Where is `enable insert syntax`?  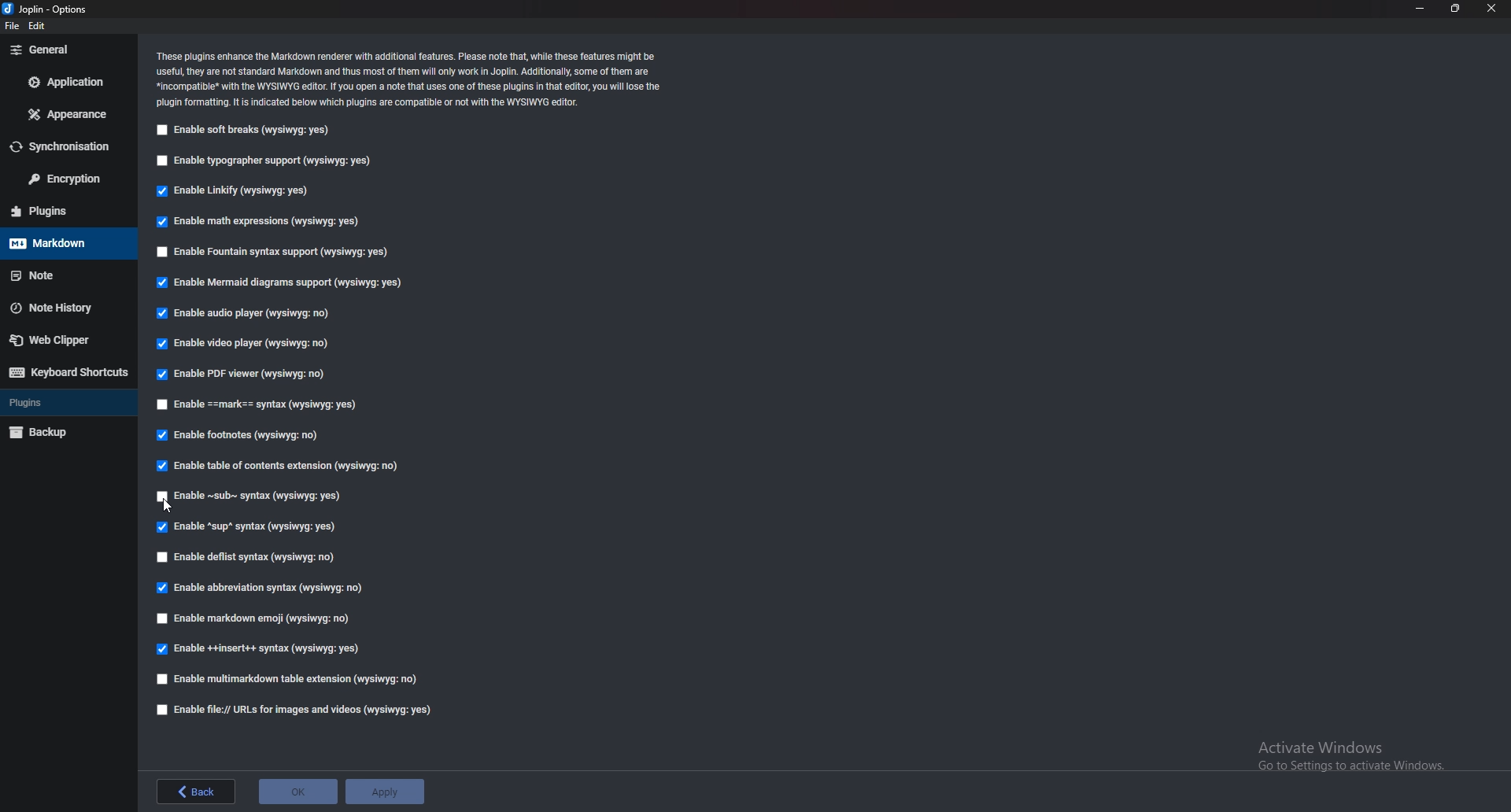 enable insert syntax is located at coordinates (259, 648).